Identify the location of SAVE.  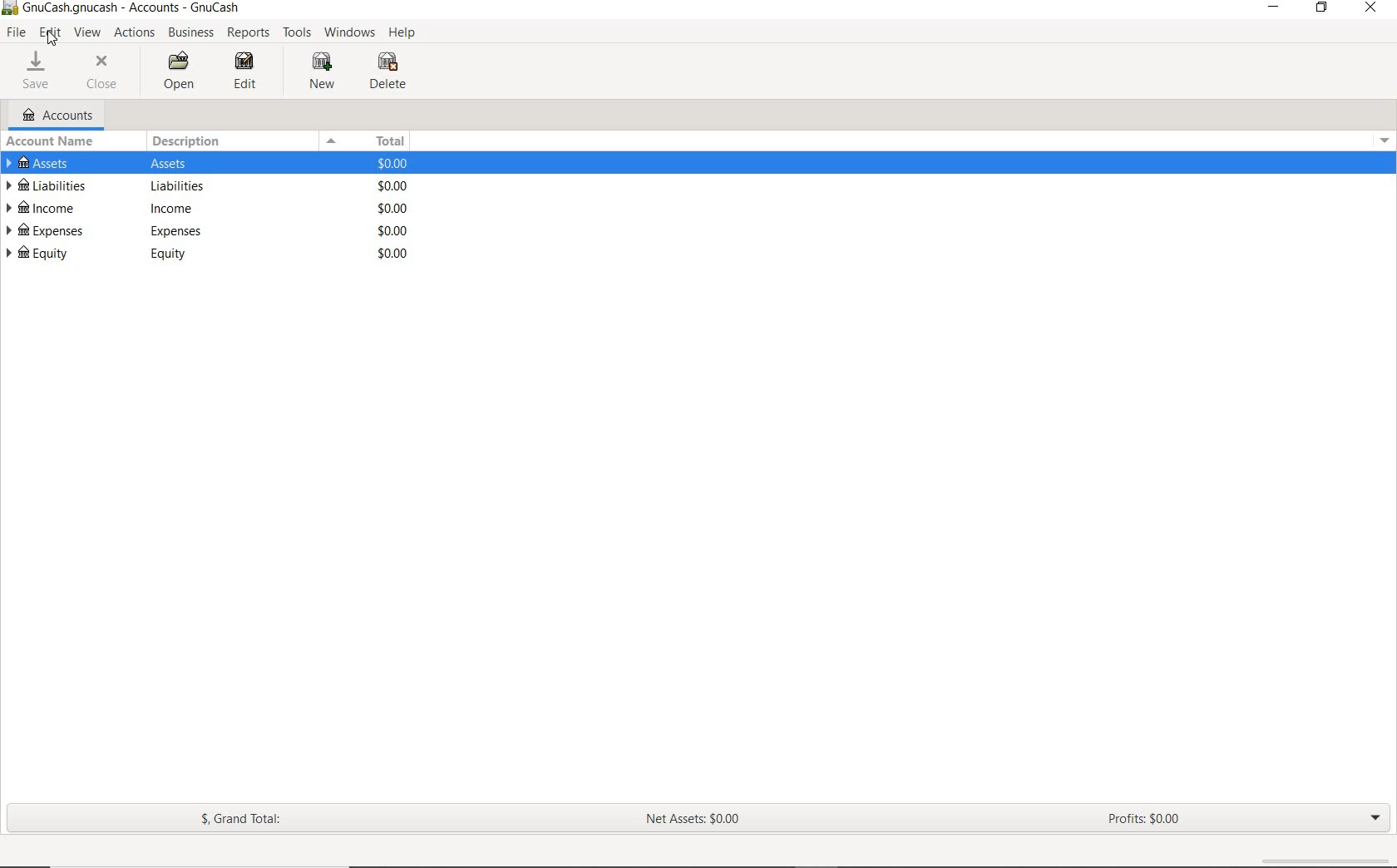
(41, 71).